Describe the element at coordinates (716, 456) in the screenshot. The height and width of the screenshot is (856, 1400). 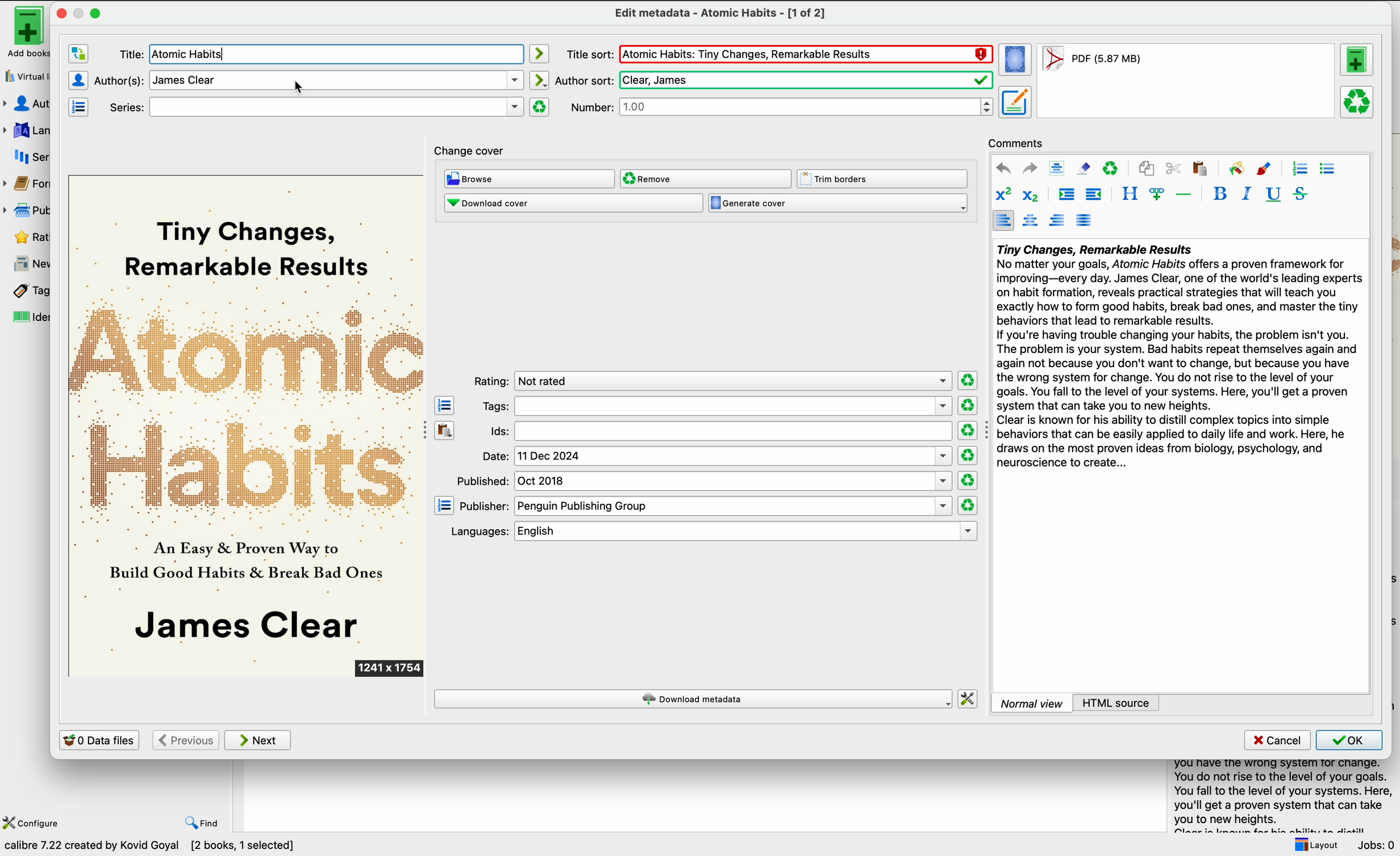
I see `date` at that location.